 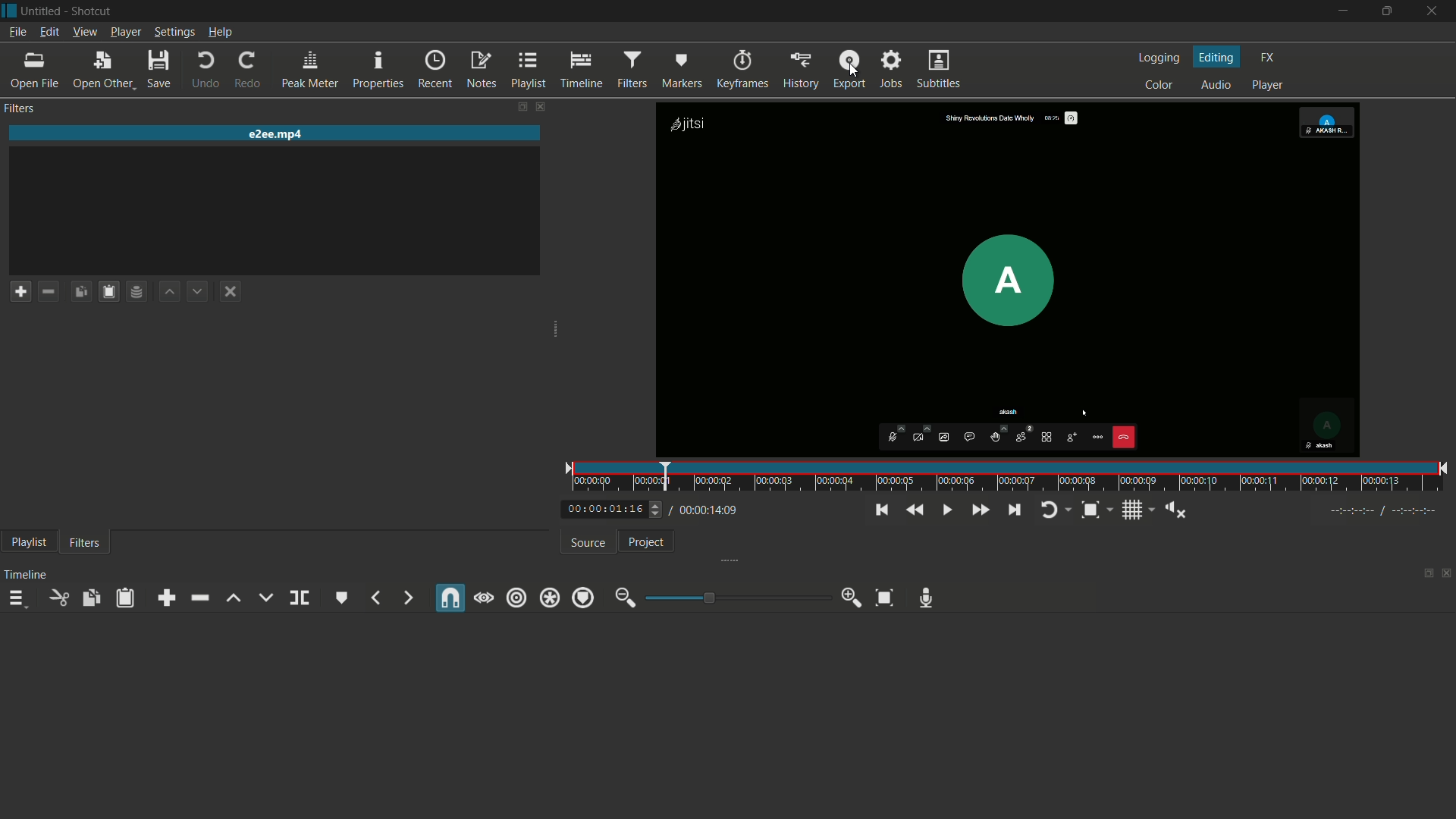 What do you see at coordinates (516, 106) in the screenshot?
I see `change layout` at bounding box center [516, 106].